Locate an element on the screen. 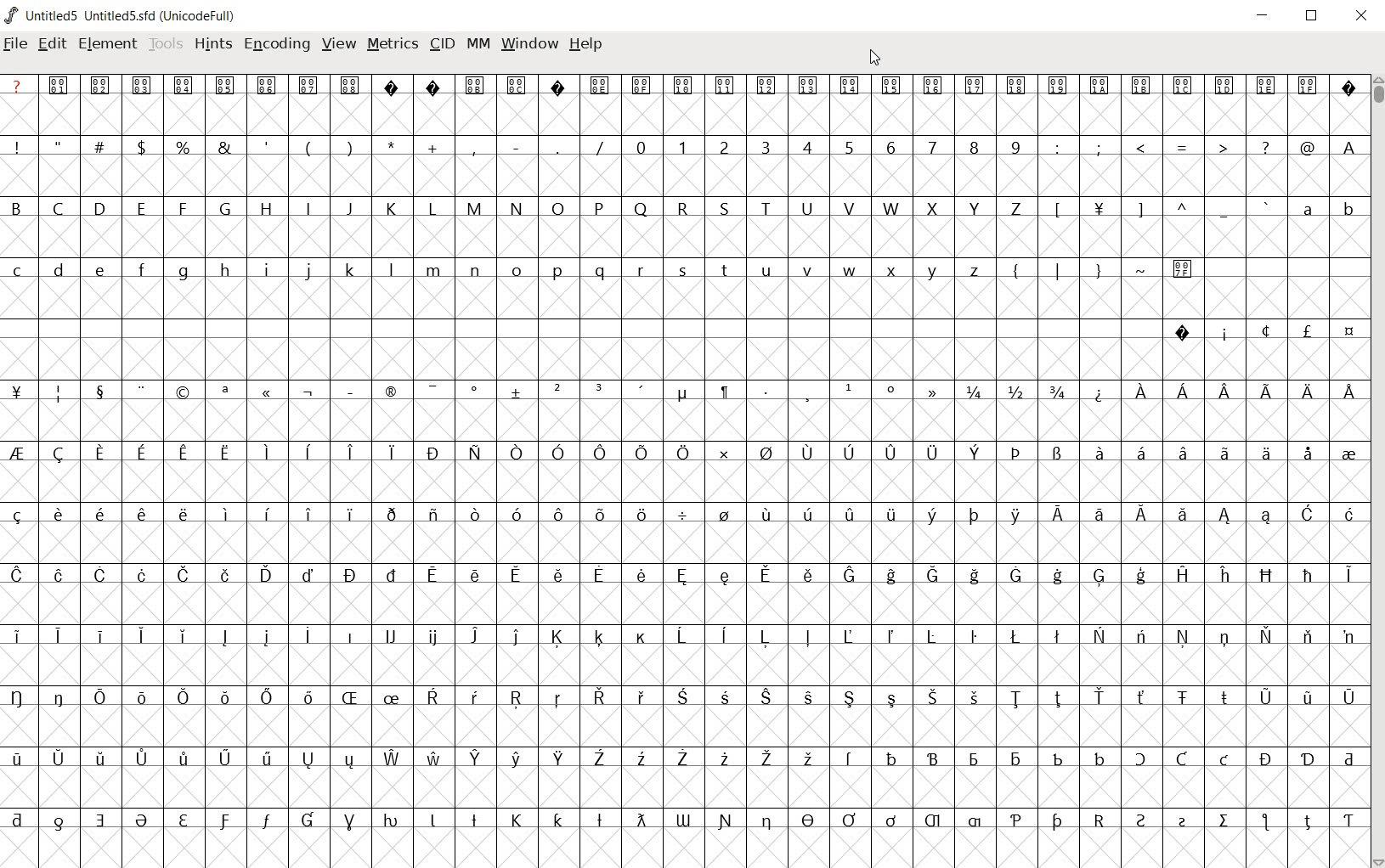  Symbol is located at coordinates (597, 392).